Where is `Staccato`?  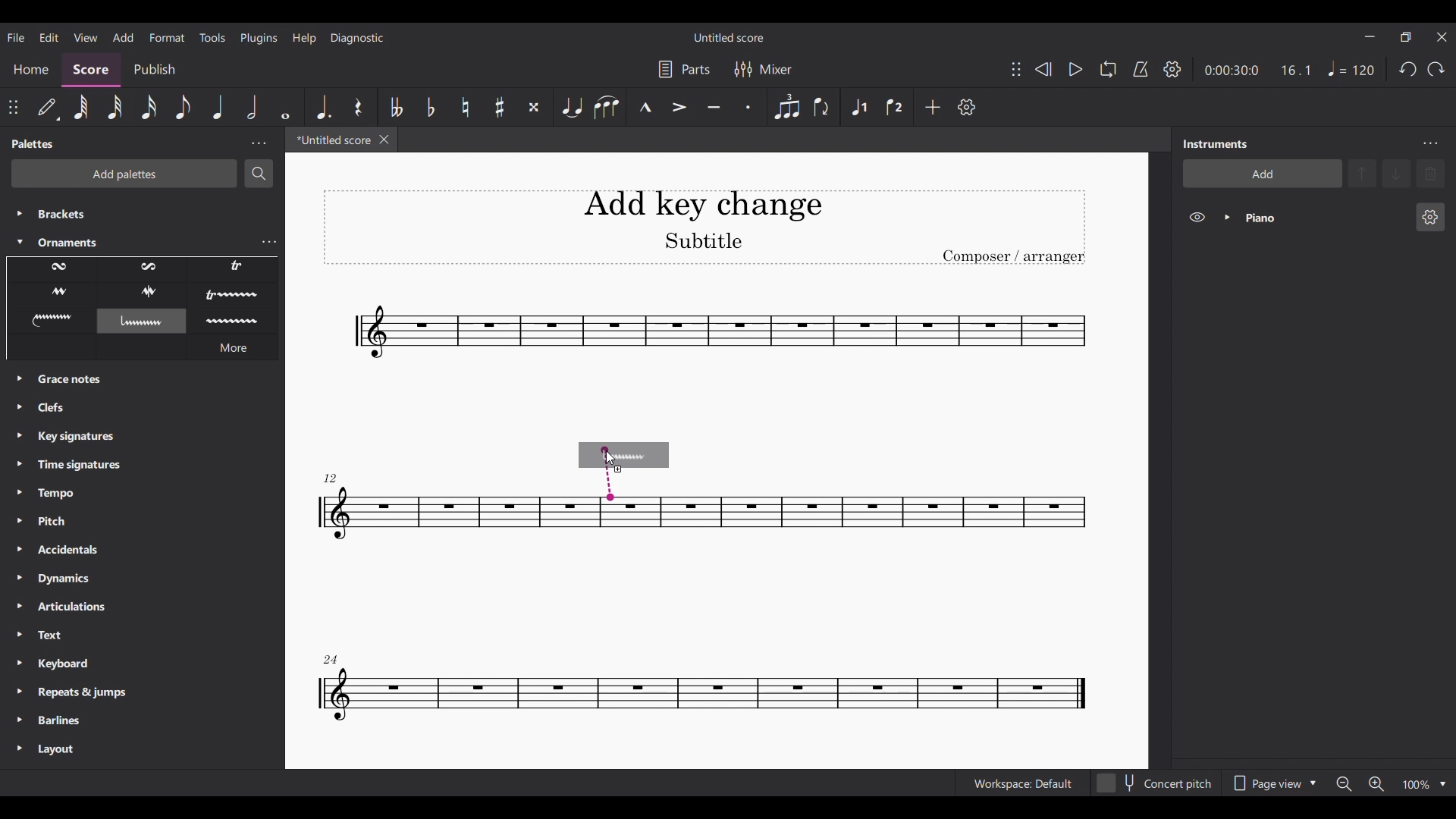 Staccato is located at coordinates (748, 107).